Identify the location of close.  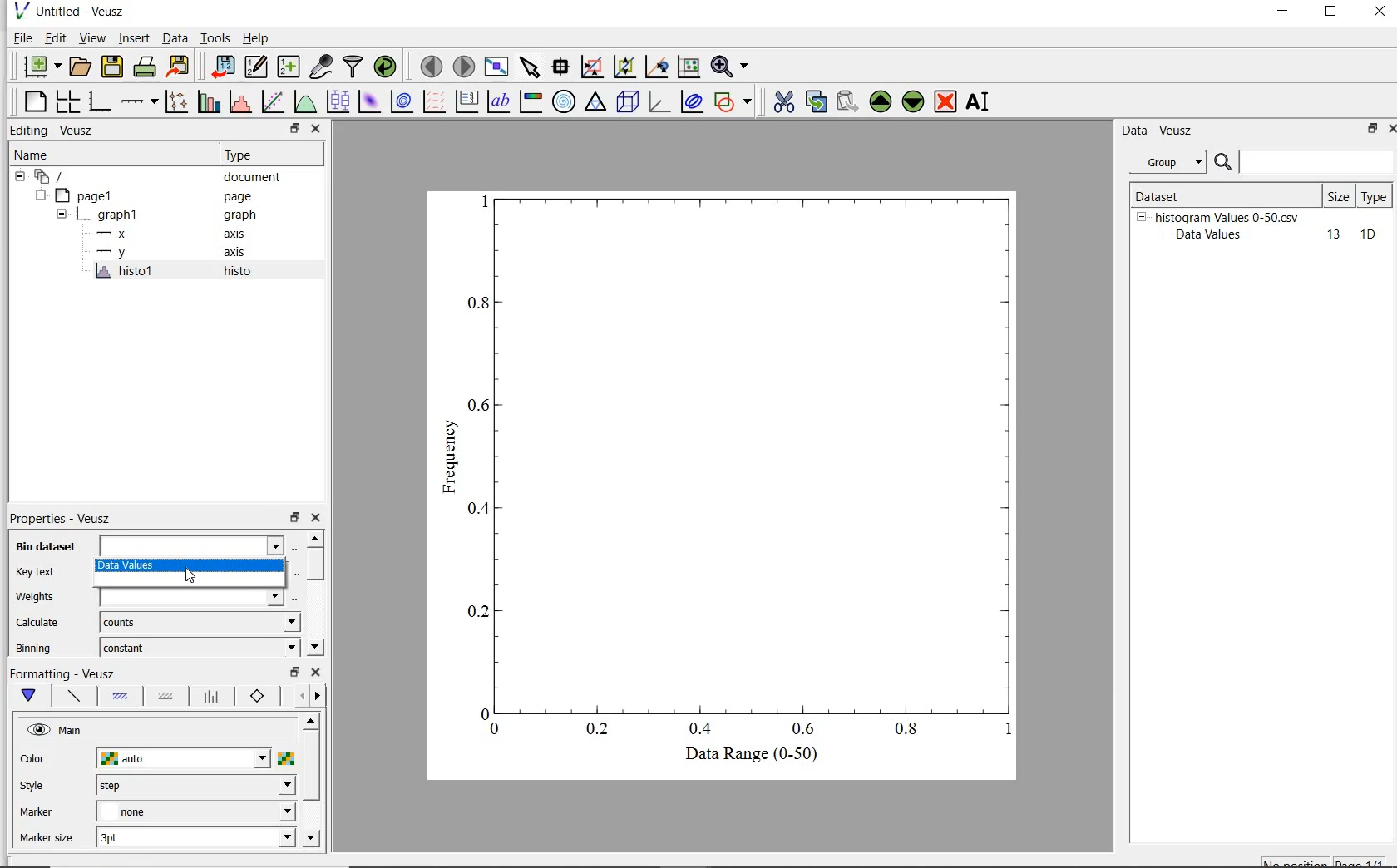
(315, 673).